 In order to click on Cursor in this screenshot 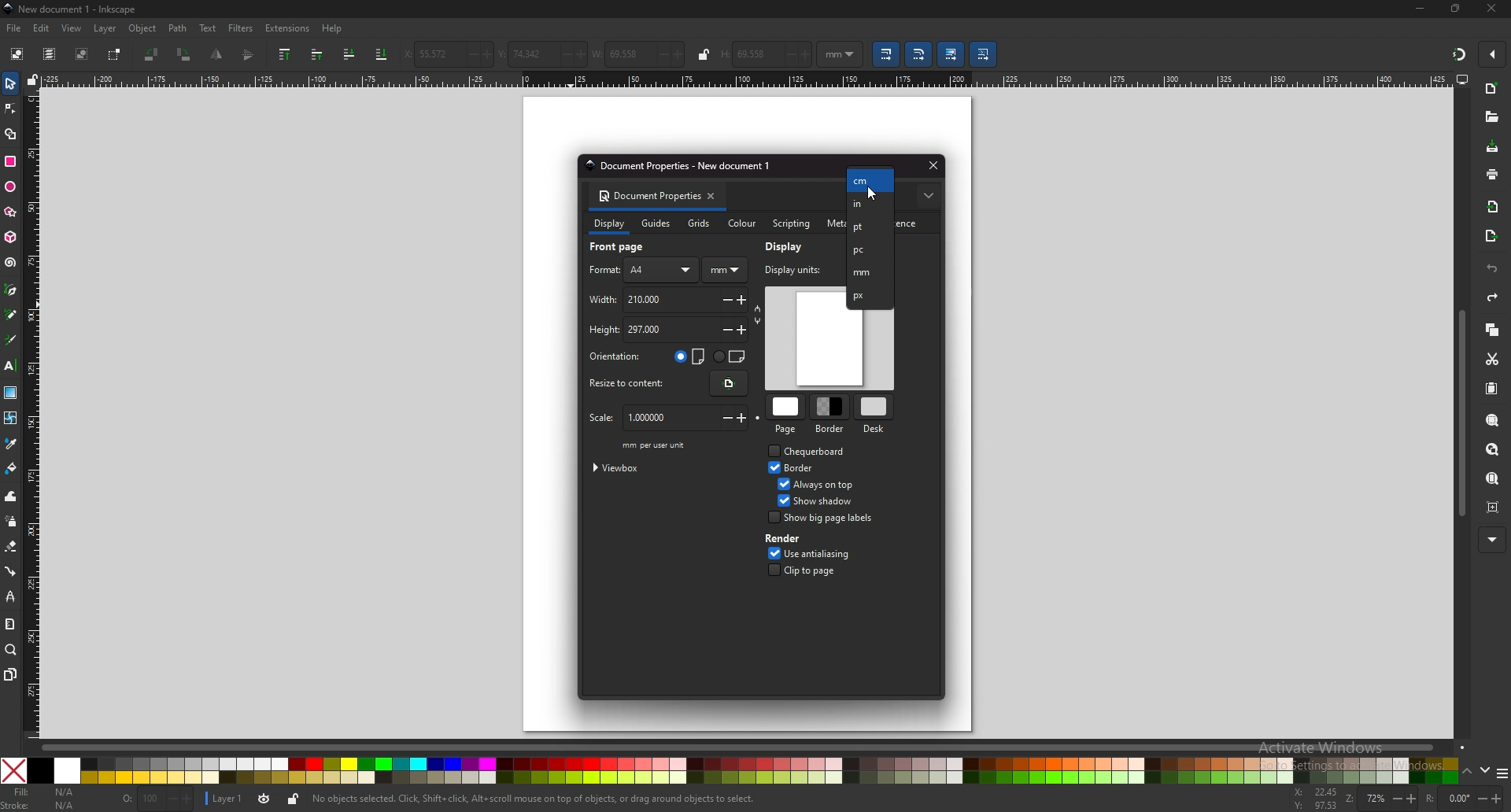, I will do `click(870, 193)`.